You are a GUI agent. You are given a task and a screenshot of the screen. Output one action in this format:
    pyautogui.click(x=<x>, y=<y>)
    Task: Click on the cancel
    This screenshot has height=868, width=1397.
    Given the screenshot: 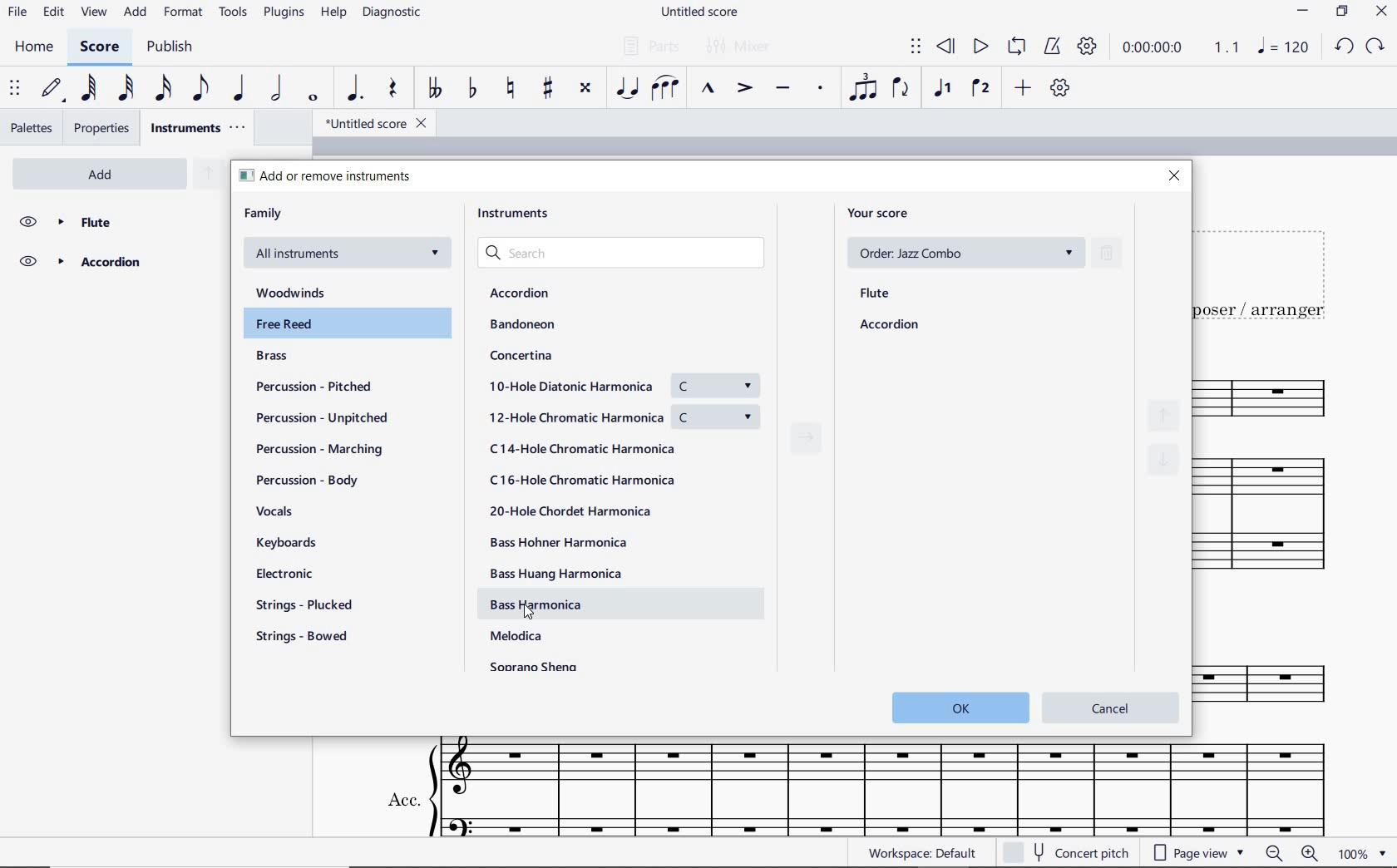 What is the action you would take?
    pyautogui.click(x=1110, y=705)
    